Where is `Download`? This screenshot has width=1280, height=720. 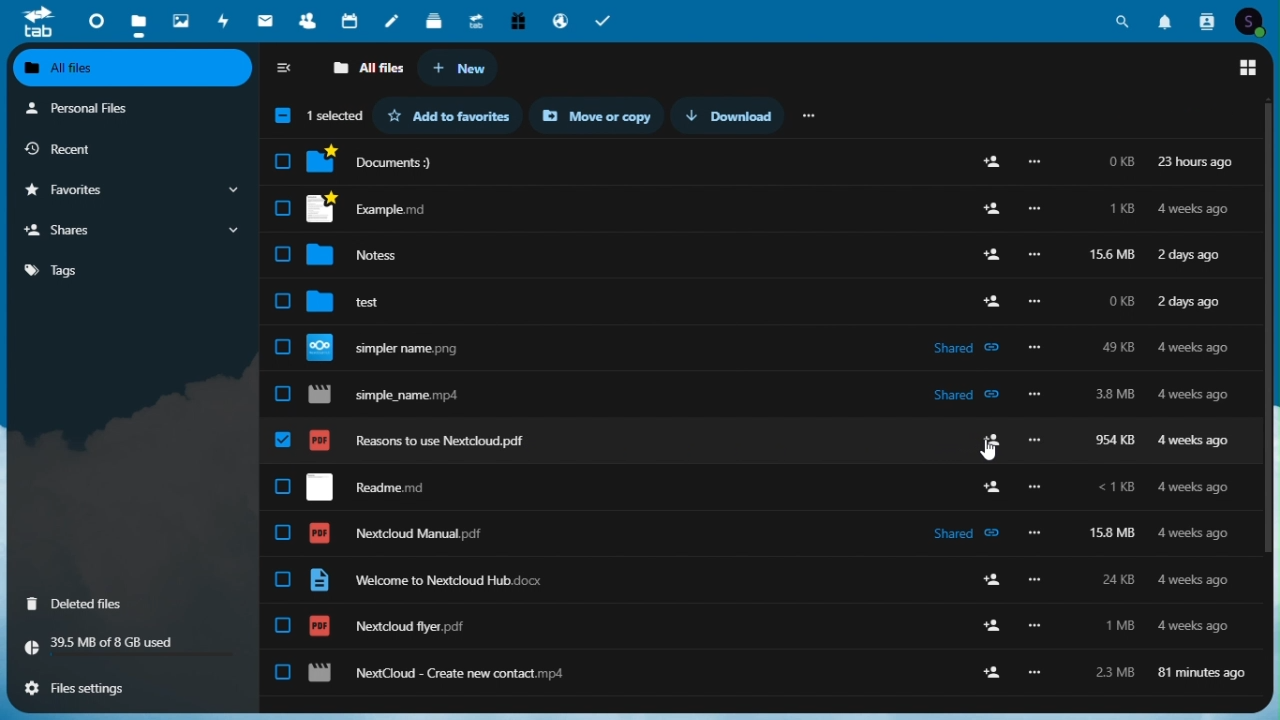 Download is located at coordinates (732, 116).